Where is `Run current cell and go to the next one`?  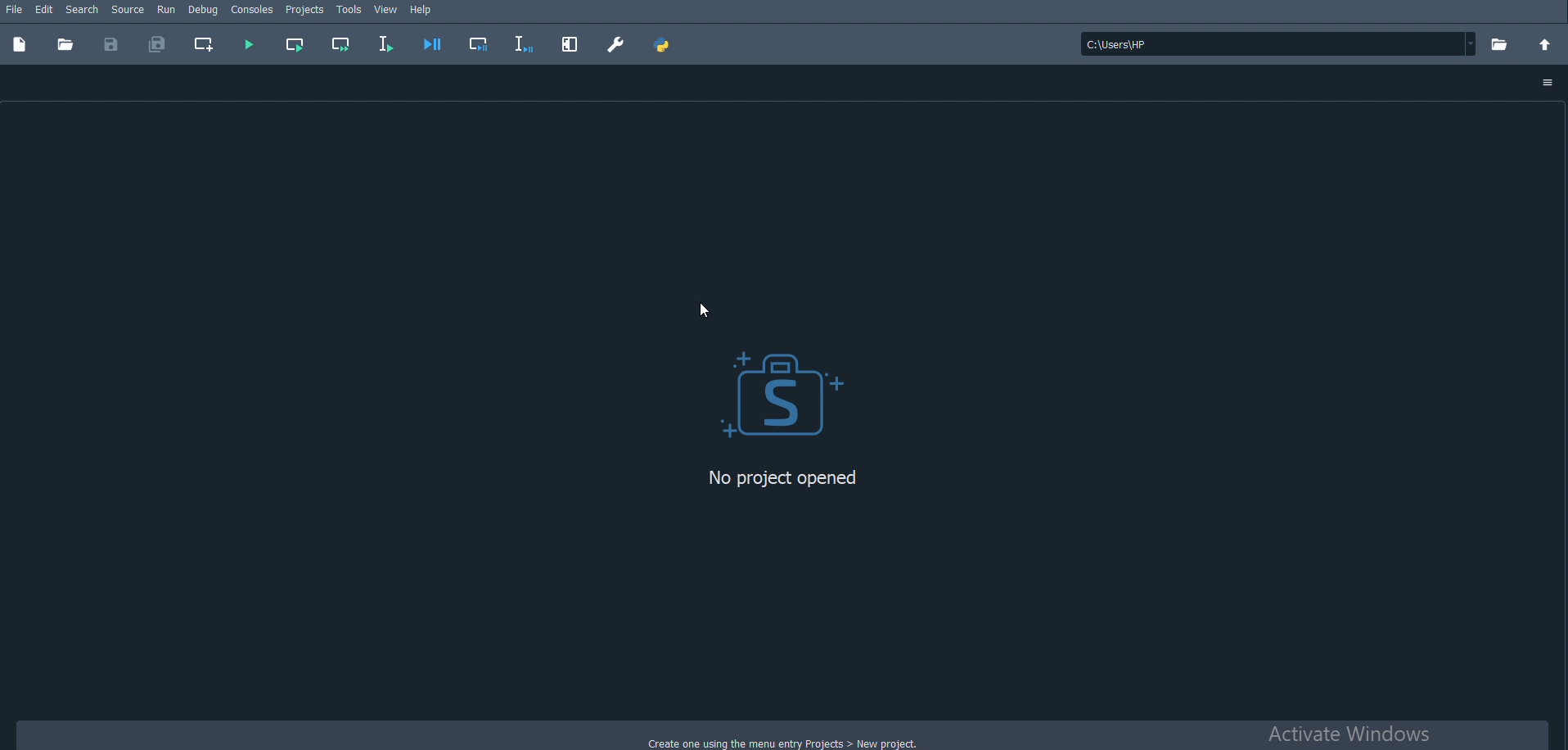
Run current cell and go to the next one is located at coordinates (340, 44).